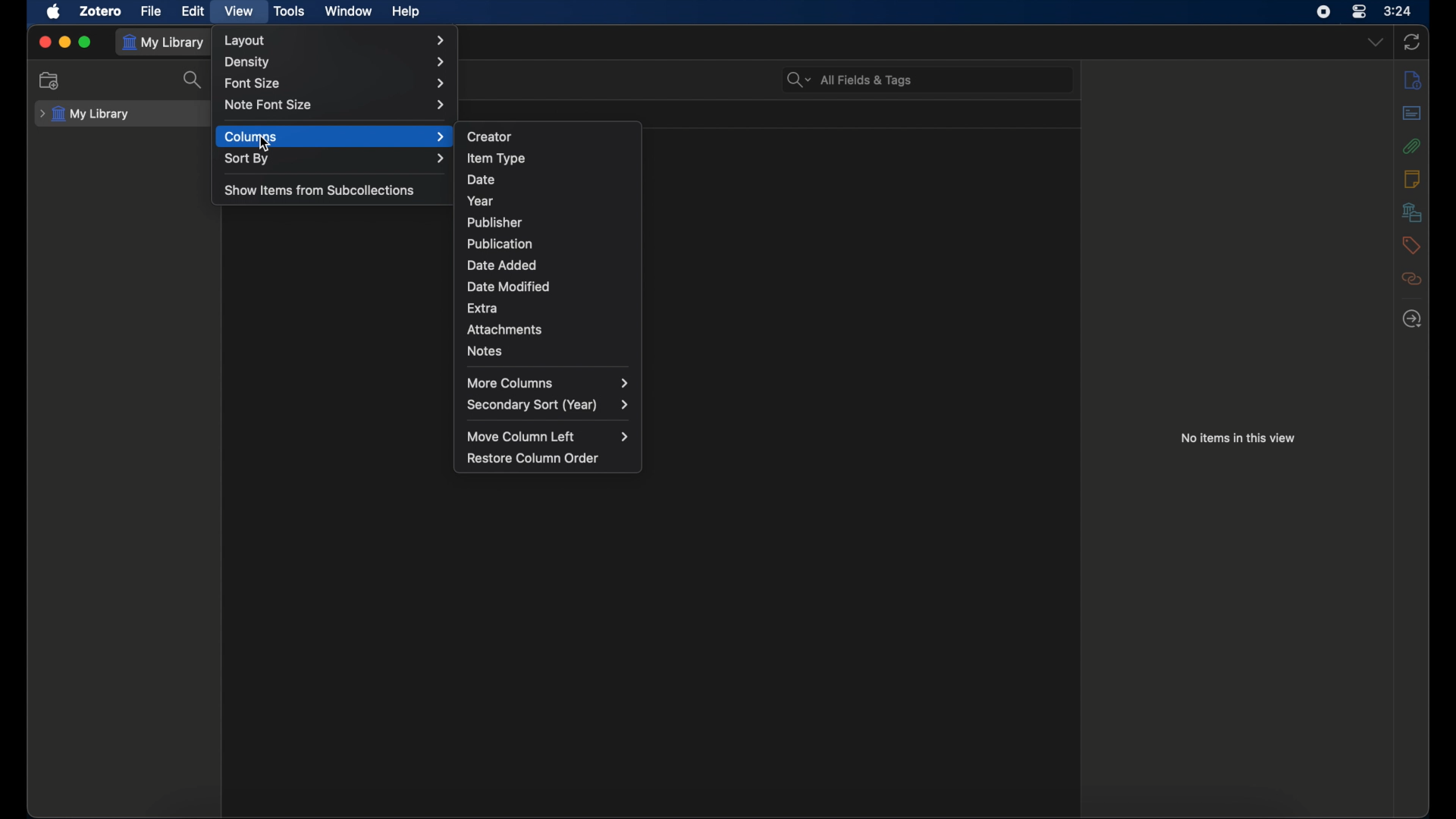 Image resolution: width=1456 pixels, height=819 pixels. I want to click on sync, so click(1414, 42).